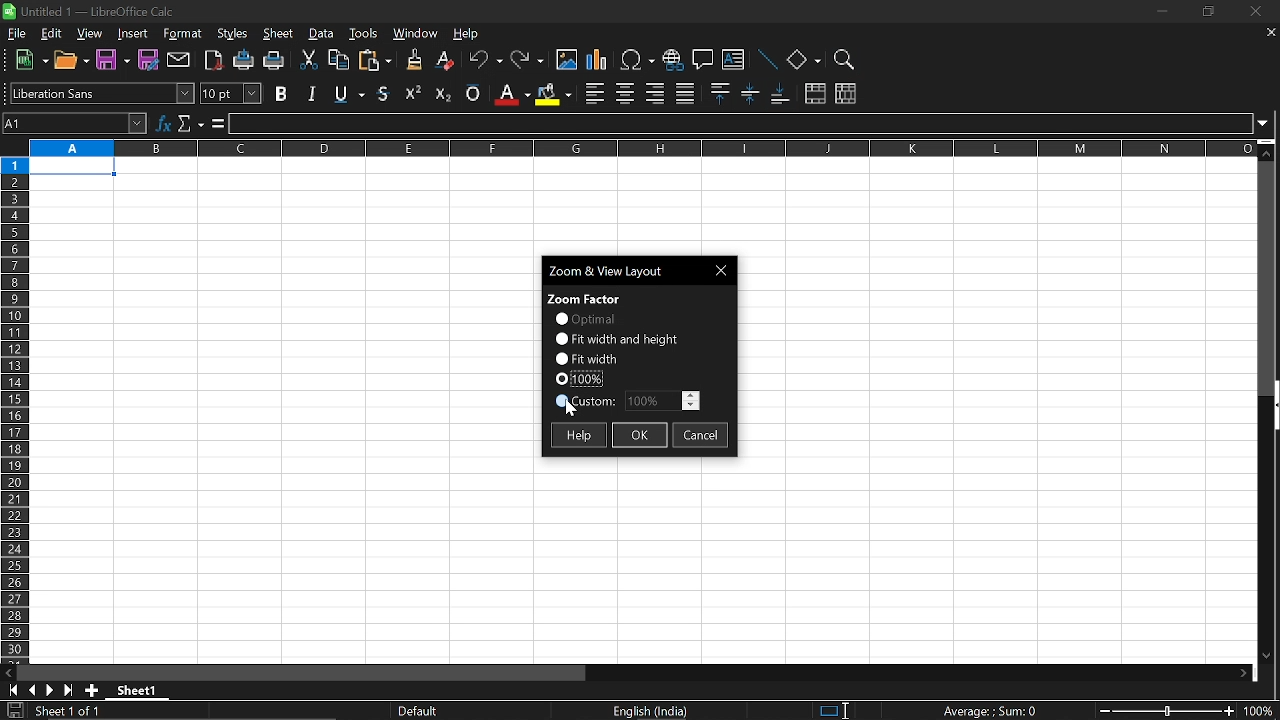 The height and width of the screenshot is (720, 1280). I want to click on print, so click(274, 62).